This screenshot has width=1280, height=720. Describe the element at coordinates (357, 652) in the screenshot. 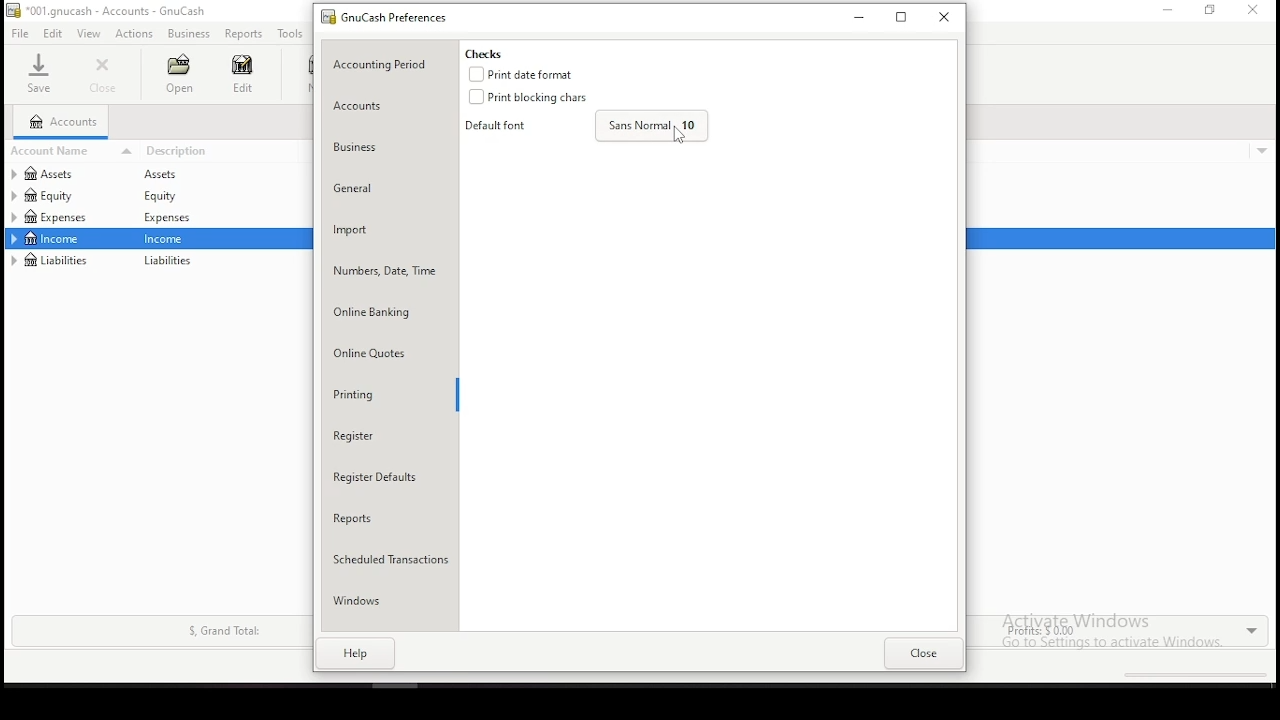

I see `help` at that location.